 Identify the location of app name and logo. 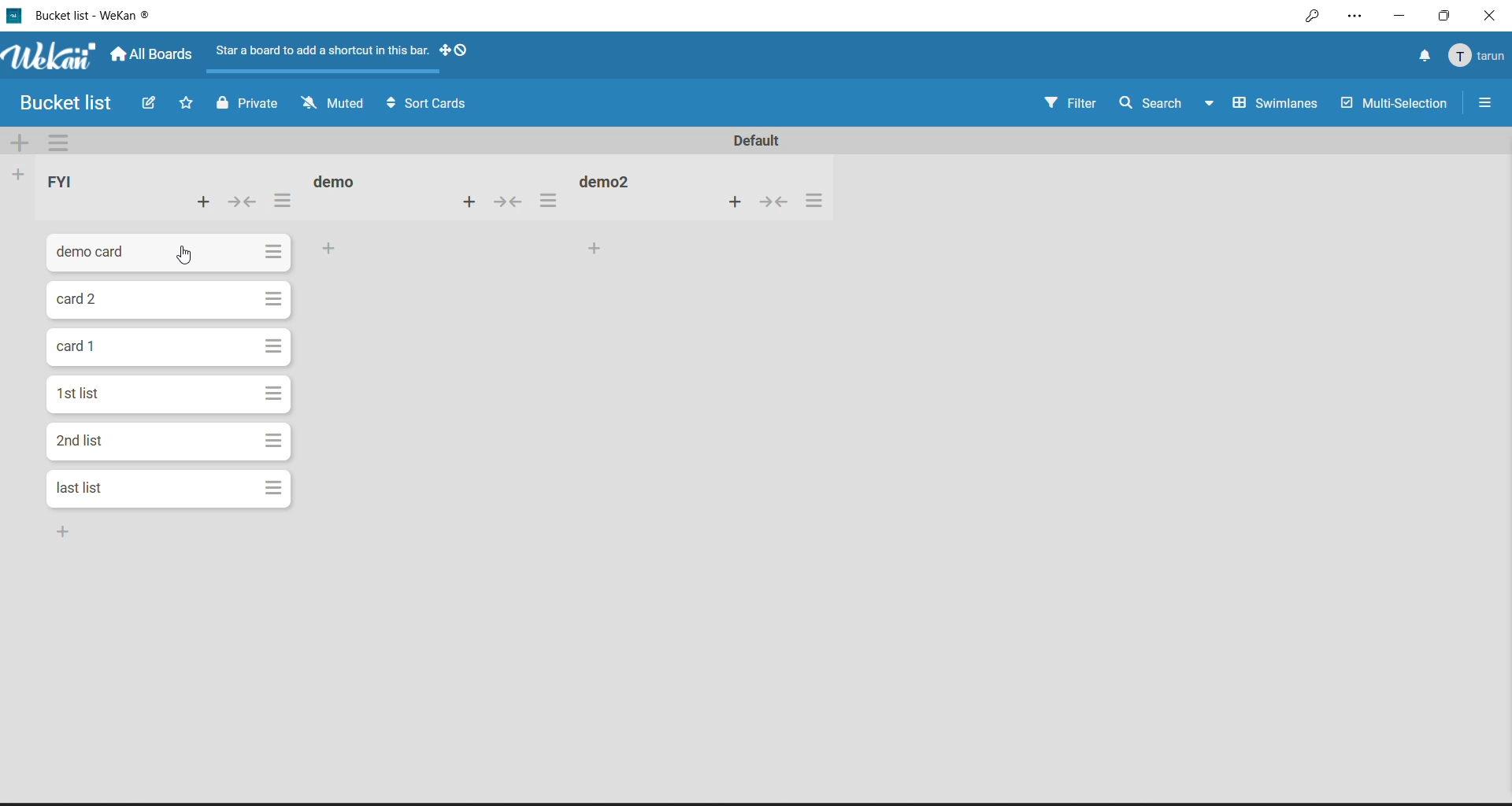
(51, 57).